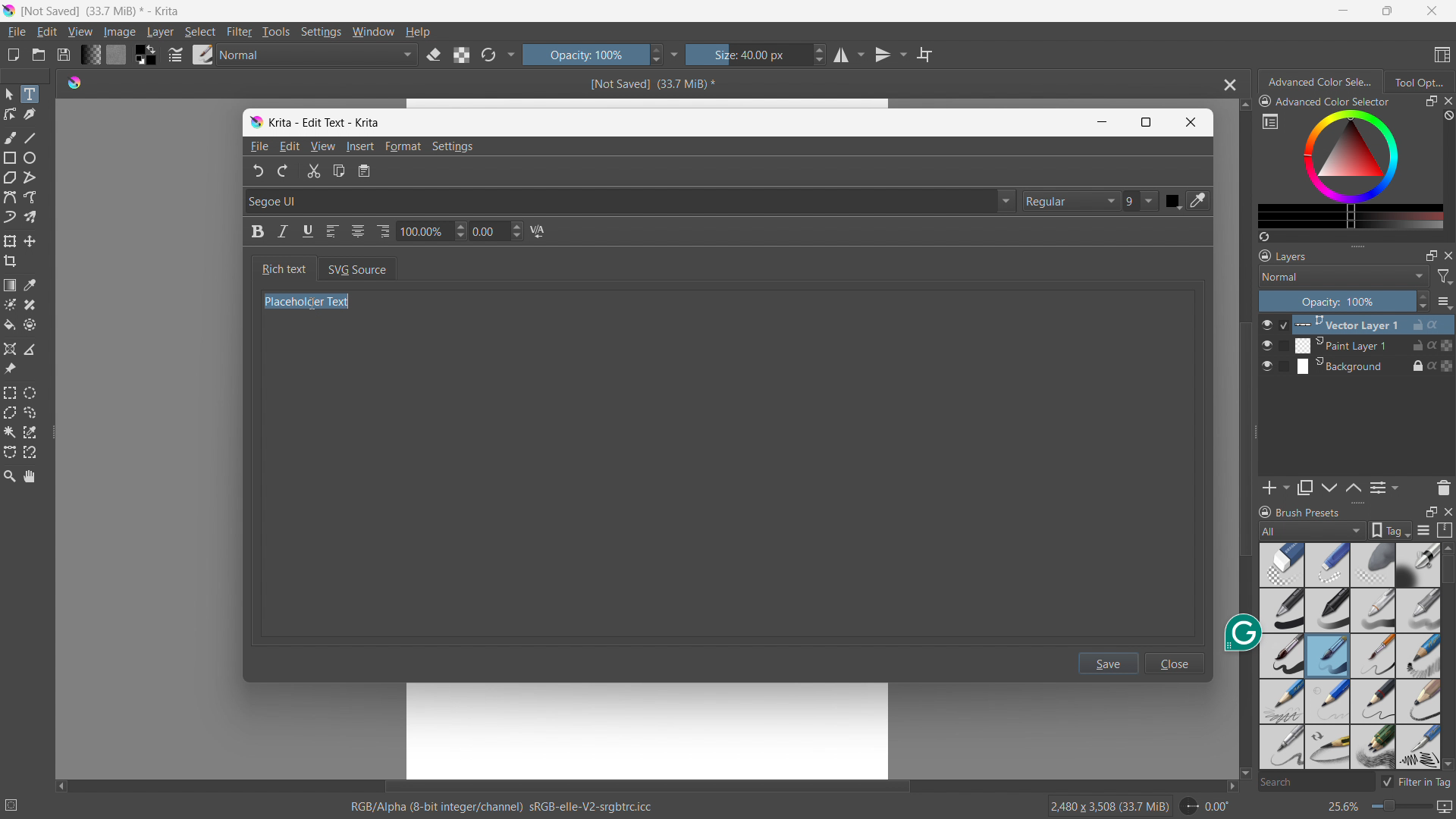 This screenshot has height=819, width=1456. Describe the element at coordinates (1444, 302) in the screenshot. I see `options` at that location.